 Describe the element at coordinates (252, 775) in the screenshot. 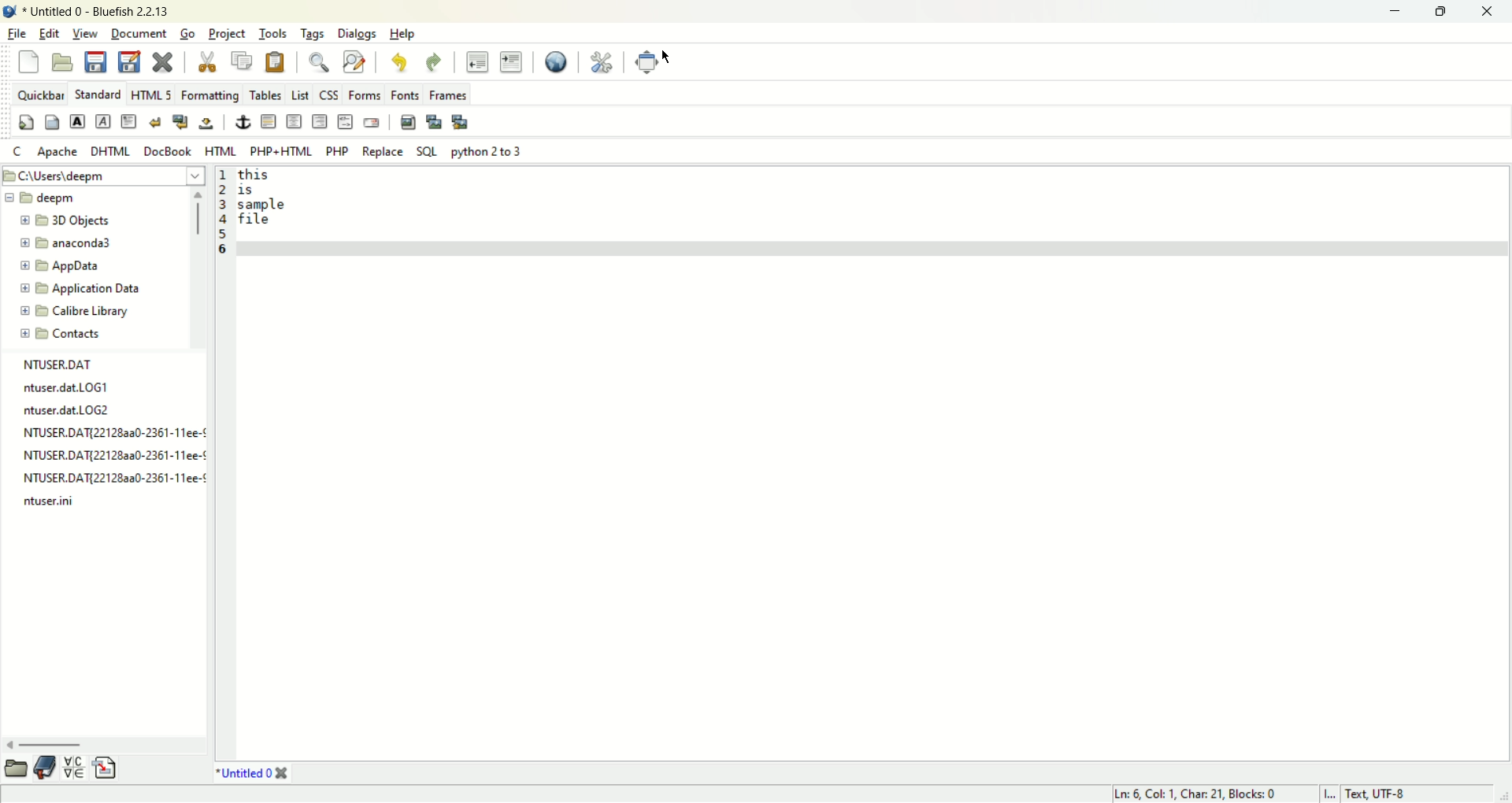

I see `title` at that location.